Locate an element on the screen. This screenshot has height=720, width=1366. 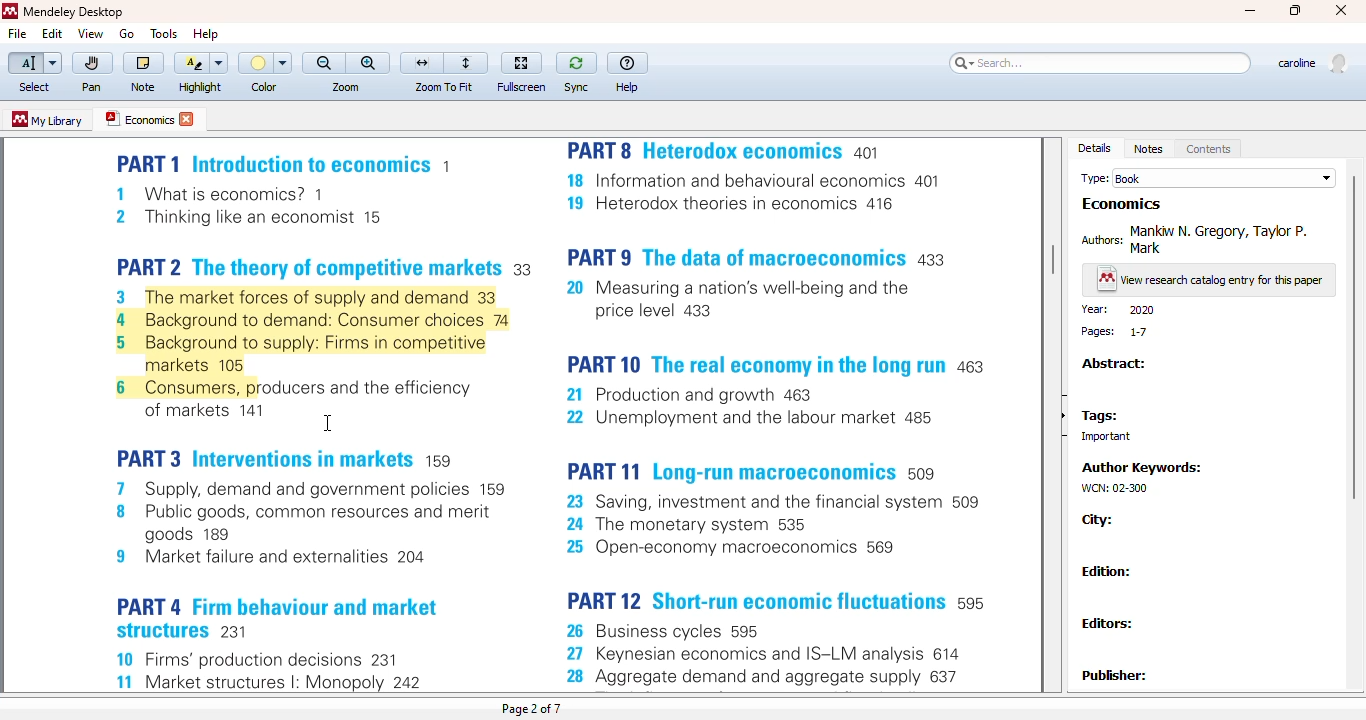
contents is located at coordinates (1209, 149).